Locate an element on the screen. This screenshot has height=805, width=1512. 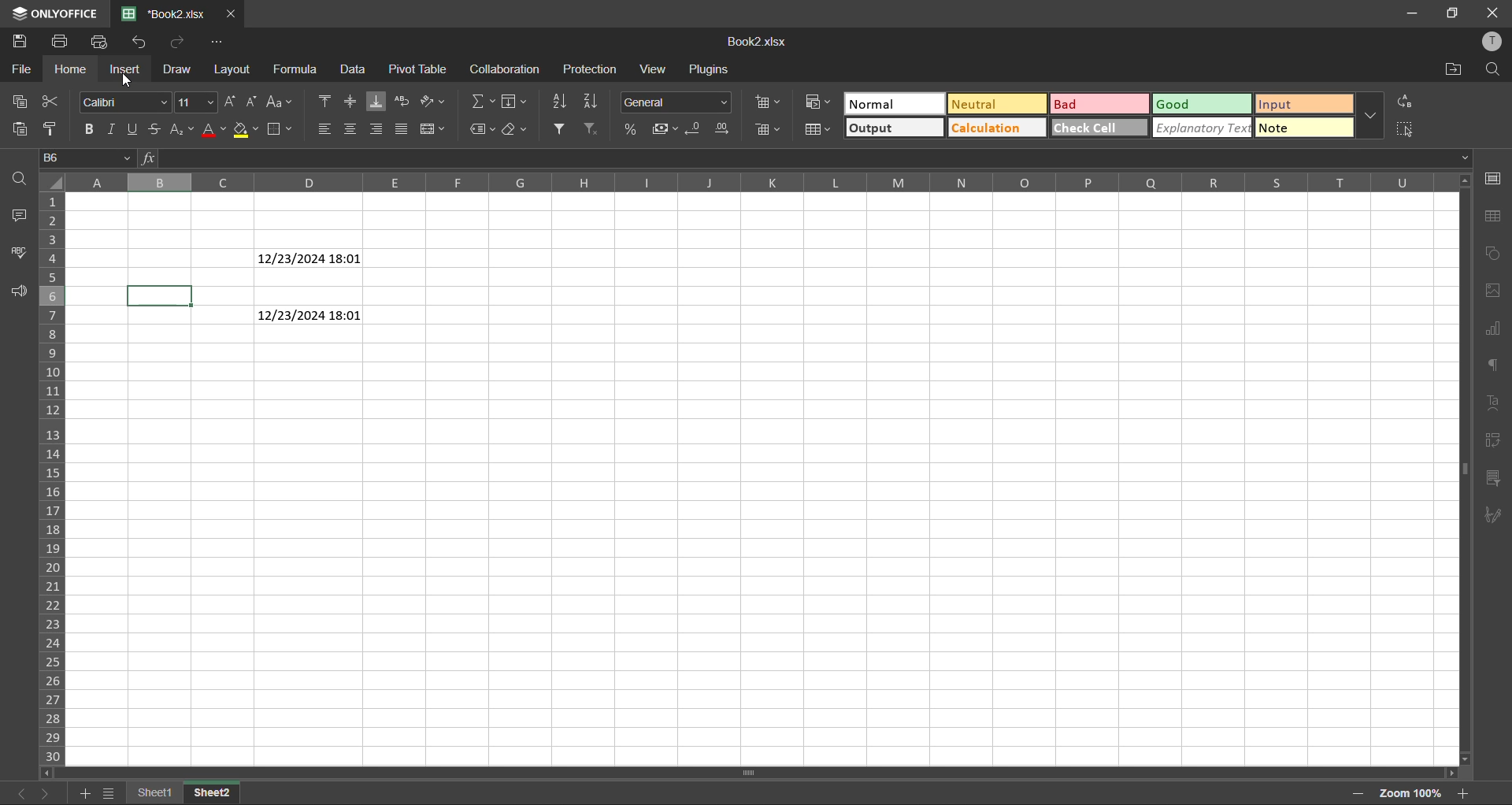
percent is located at coordinates (637, 131).